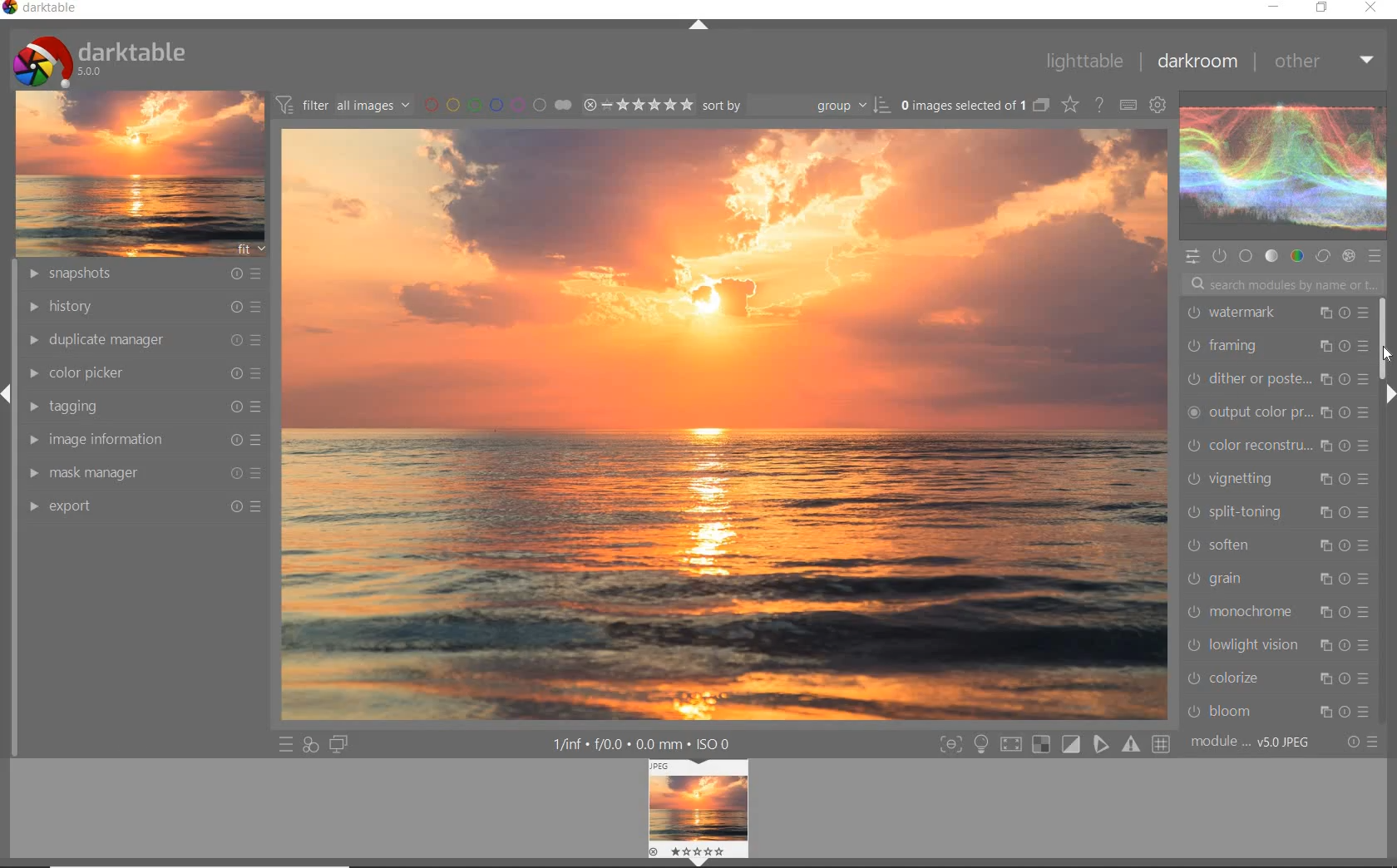 The height and width of the screenshot is (868, 1397). Describe the element at coordinates (1040, 104) in the screenshot. I see `COLLAPSE GROUPED IMAGES` at that location.